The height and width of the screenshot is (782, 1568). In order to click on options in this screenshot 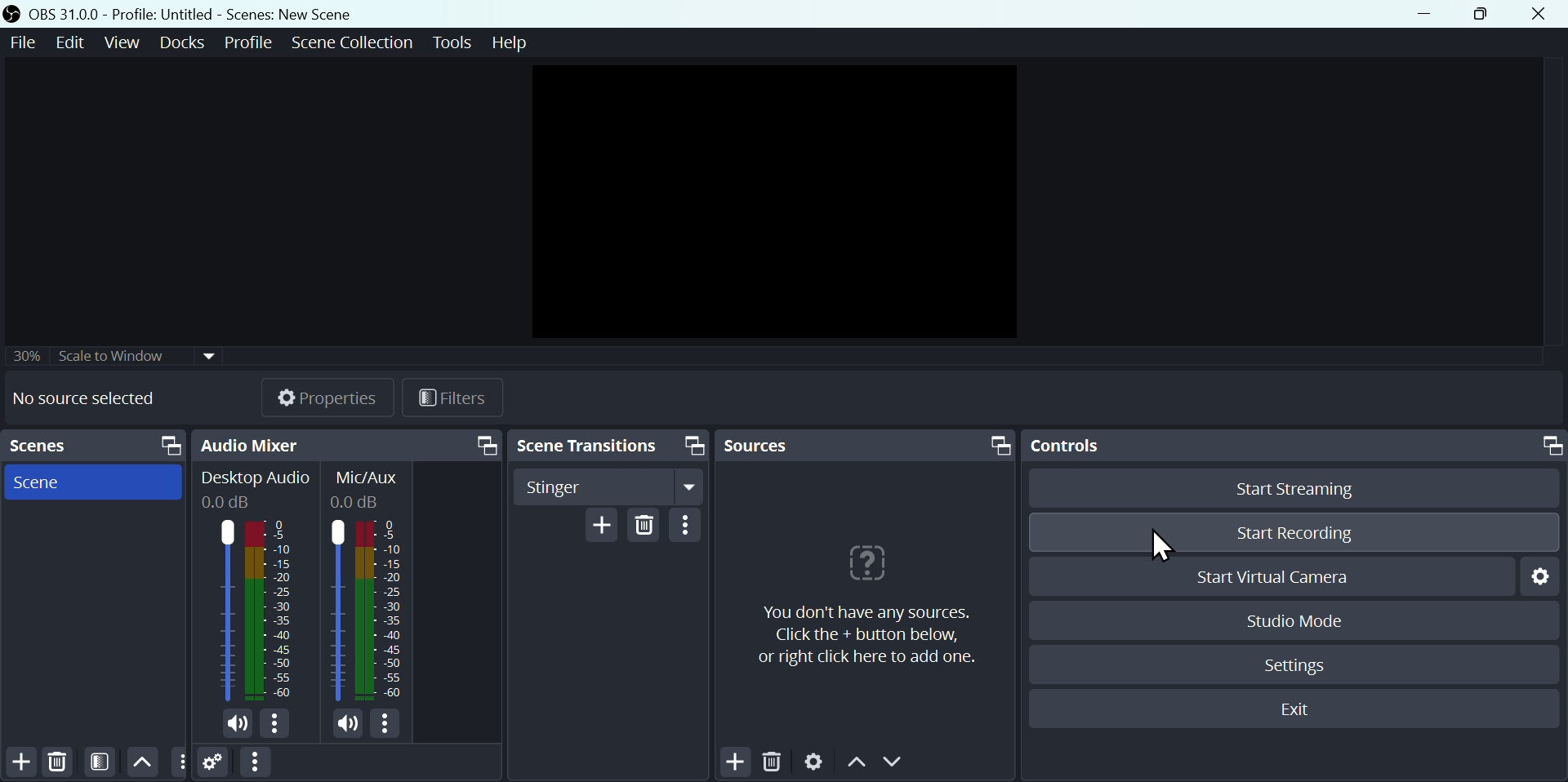, I will do `click(278, 725)`.